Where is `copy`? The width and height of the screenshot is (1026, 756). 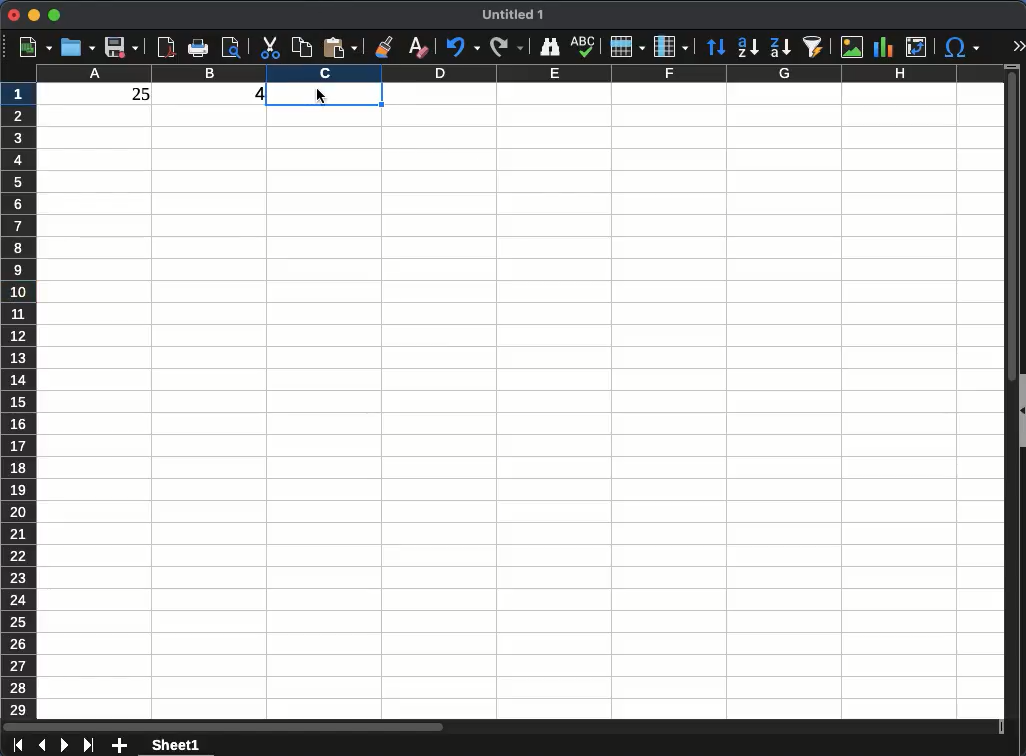
copy is located at coordinates (301, 47).